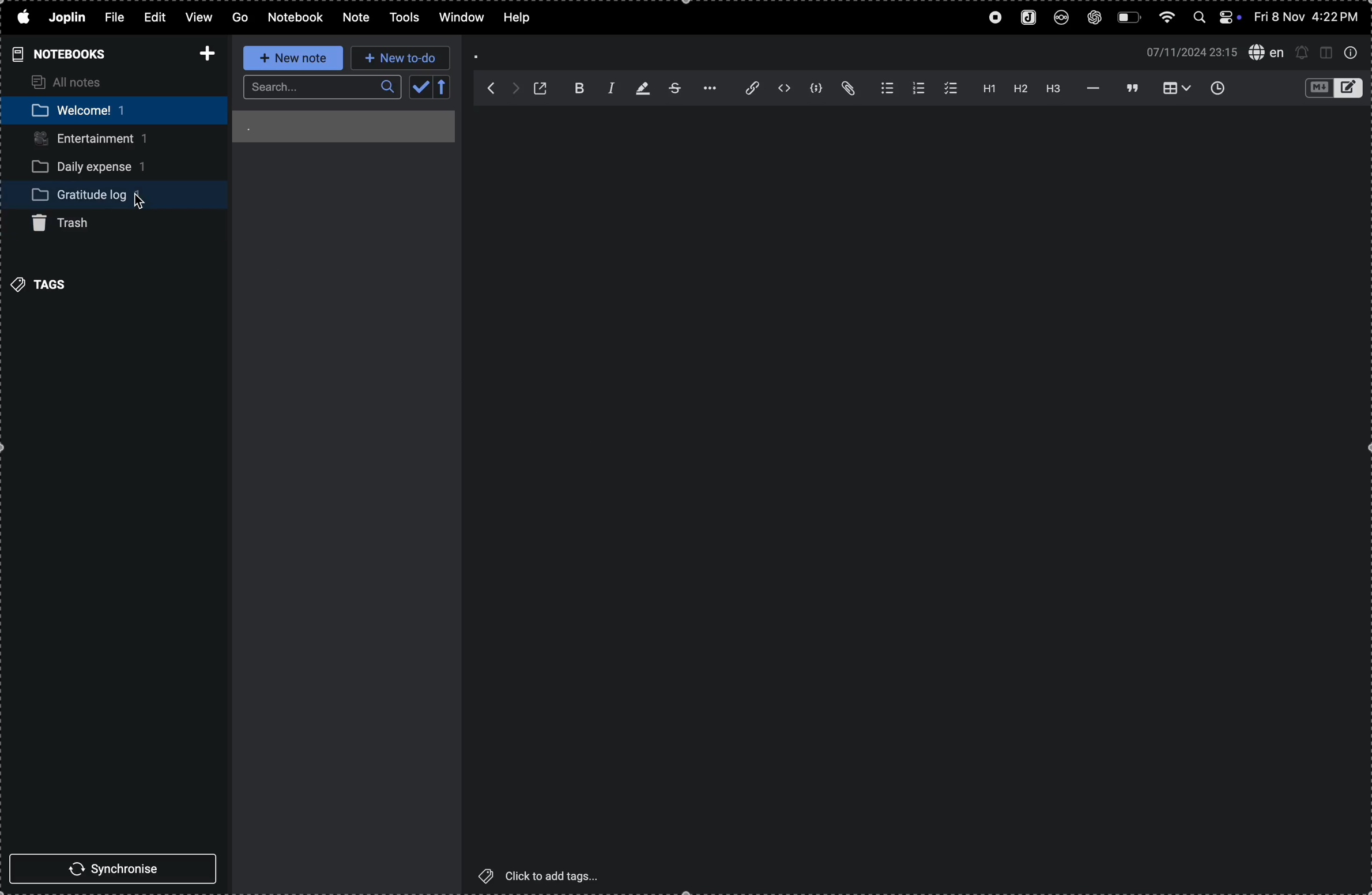  What do you see at coordinates (1019, 89) in the screenshot?
I see `heading 2` at bounding box center [1019, 89].